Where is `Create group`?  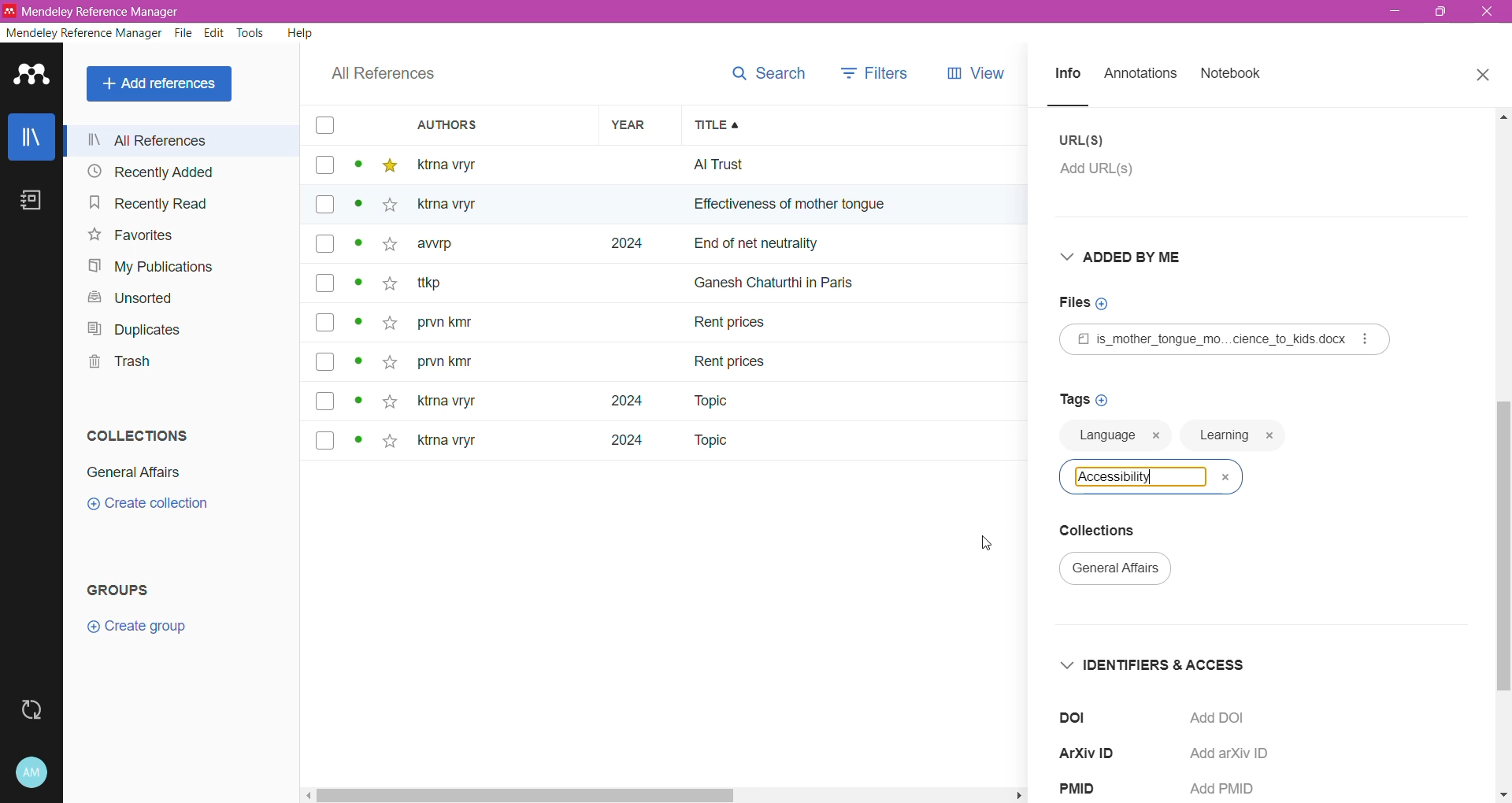 Create group is located at coordinates (136, 627).